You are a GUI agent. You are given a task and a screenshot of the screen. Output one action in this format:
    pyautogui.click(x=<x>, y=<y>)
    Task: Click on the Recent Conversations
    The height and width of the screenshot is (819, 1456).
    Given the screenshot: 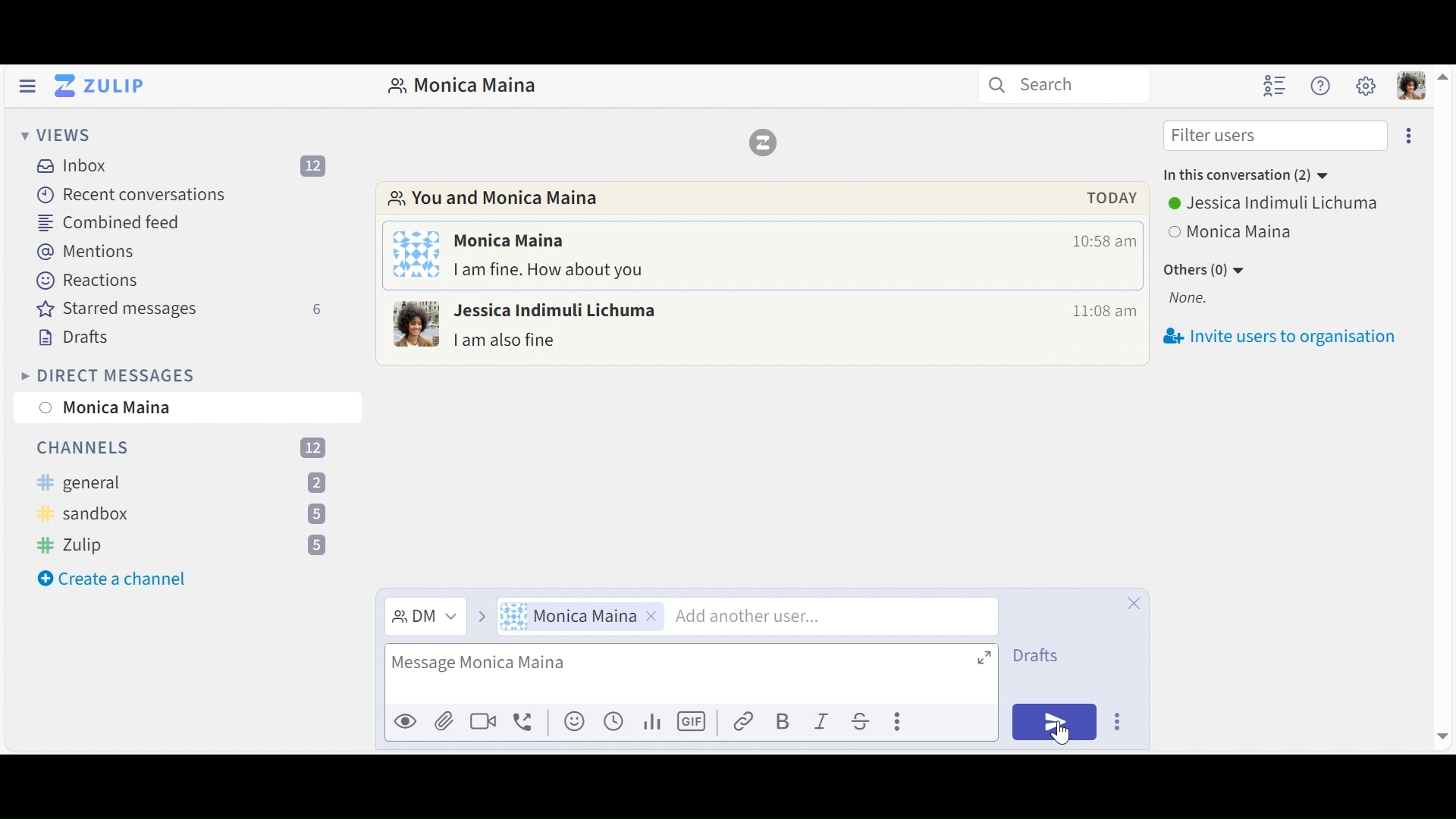 What is the action you would take?
    pyautogui.click(x=135, y=196)
    